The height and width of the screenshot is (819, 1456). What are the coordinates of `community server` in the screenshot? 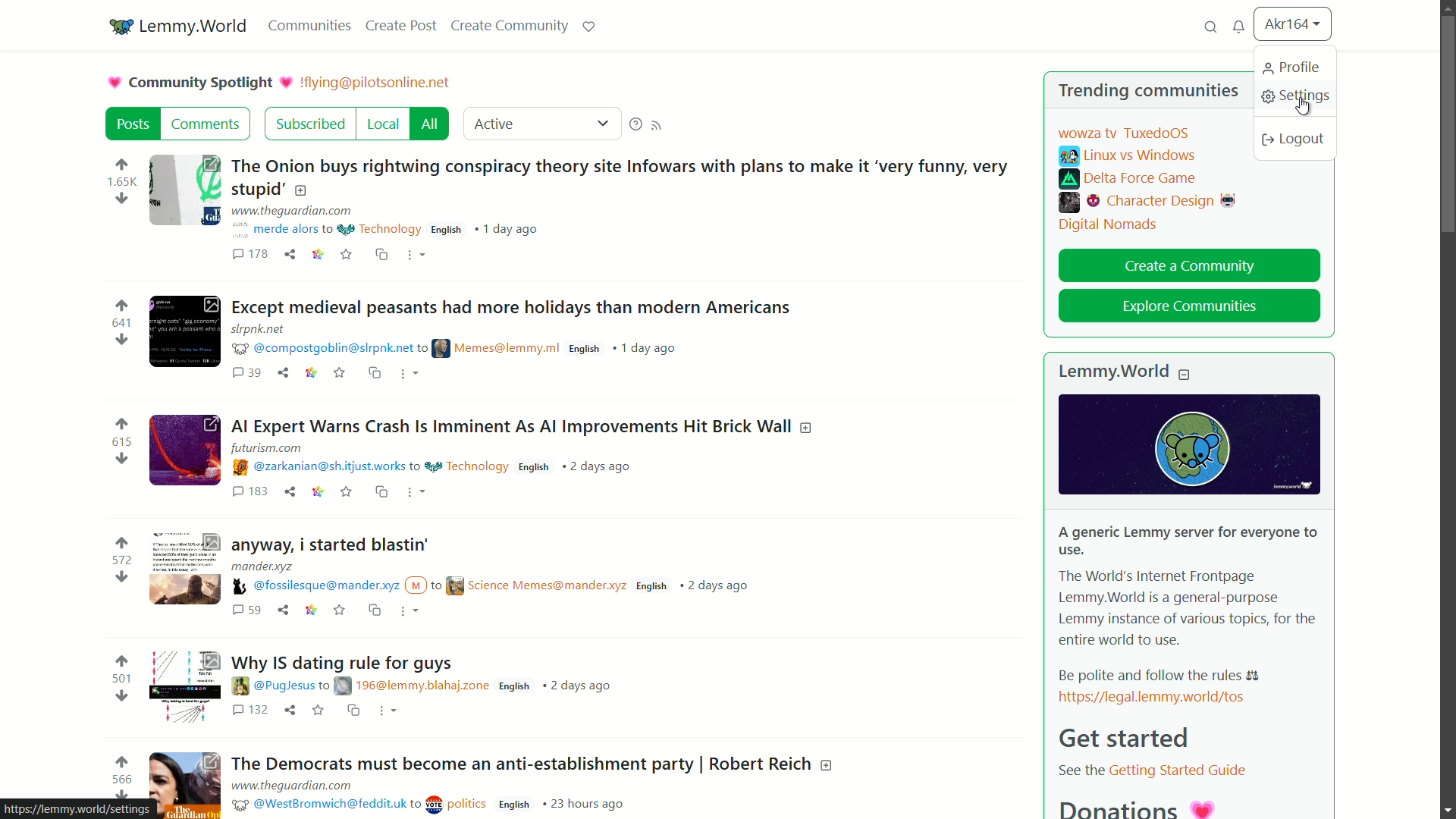 It's located at (378, 83).